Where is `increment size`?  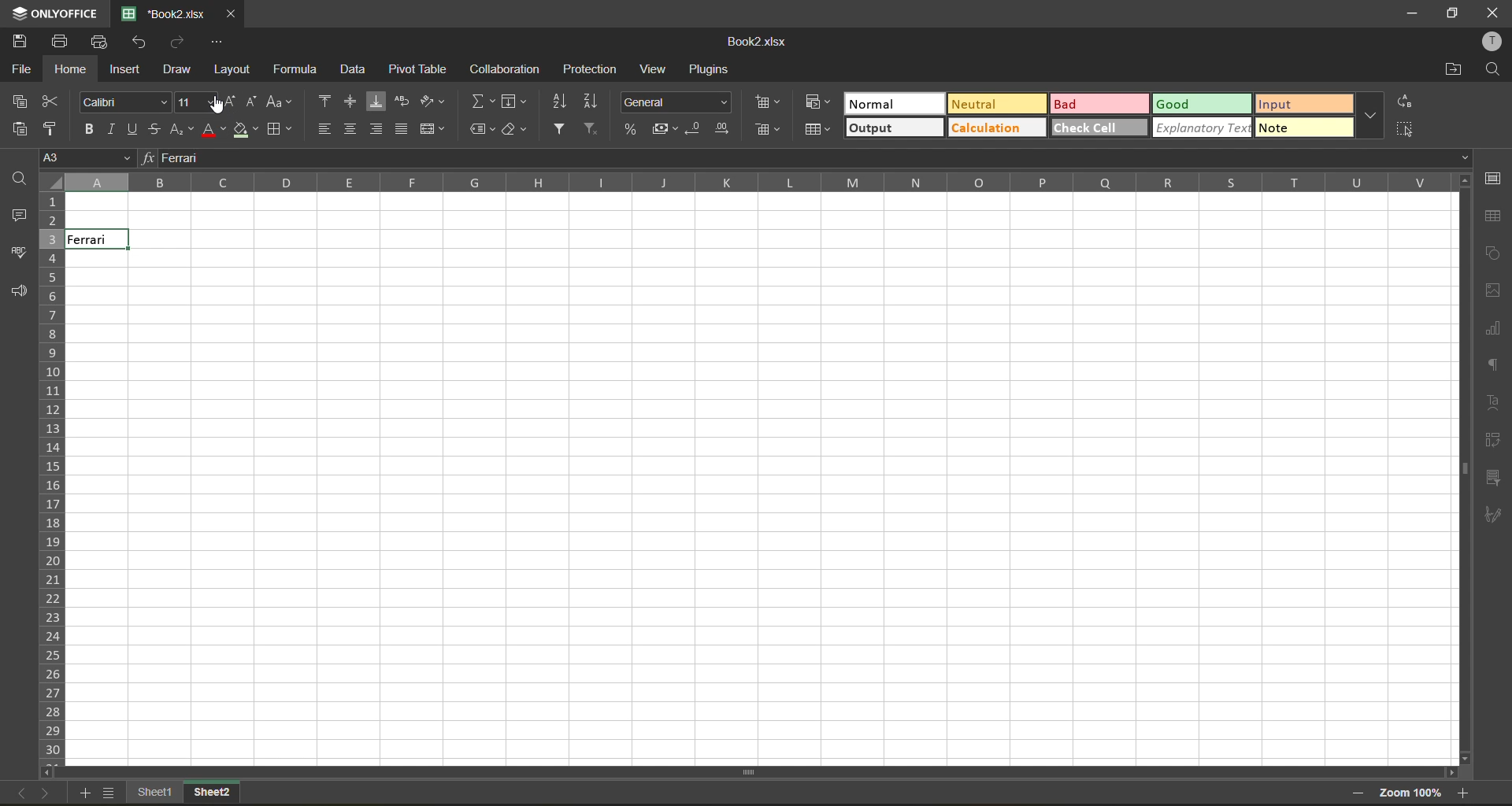
increment size is located at coordinates (228, 102).